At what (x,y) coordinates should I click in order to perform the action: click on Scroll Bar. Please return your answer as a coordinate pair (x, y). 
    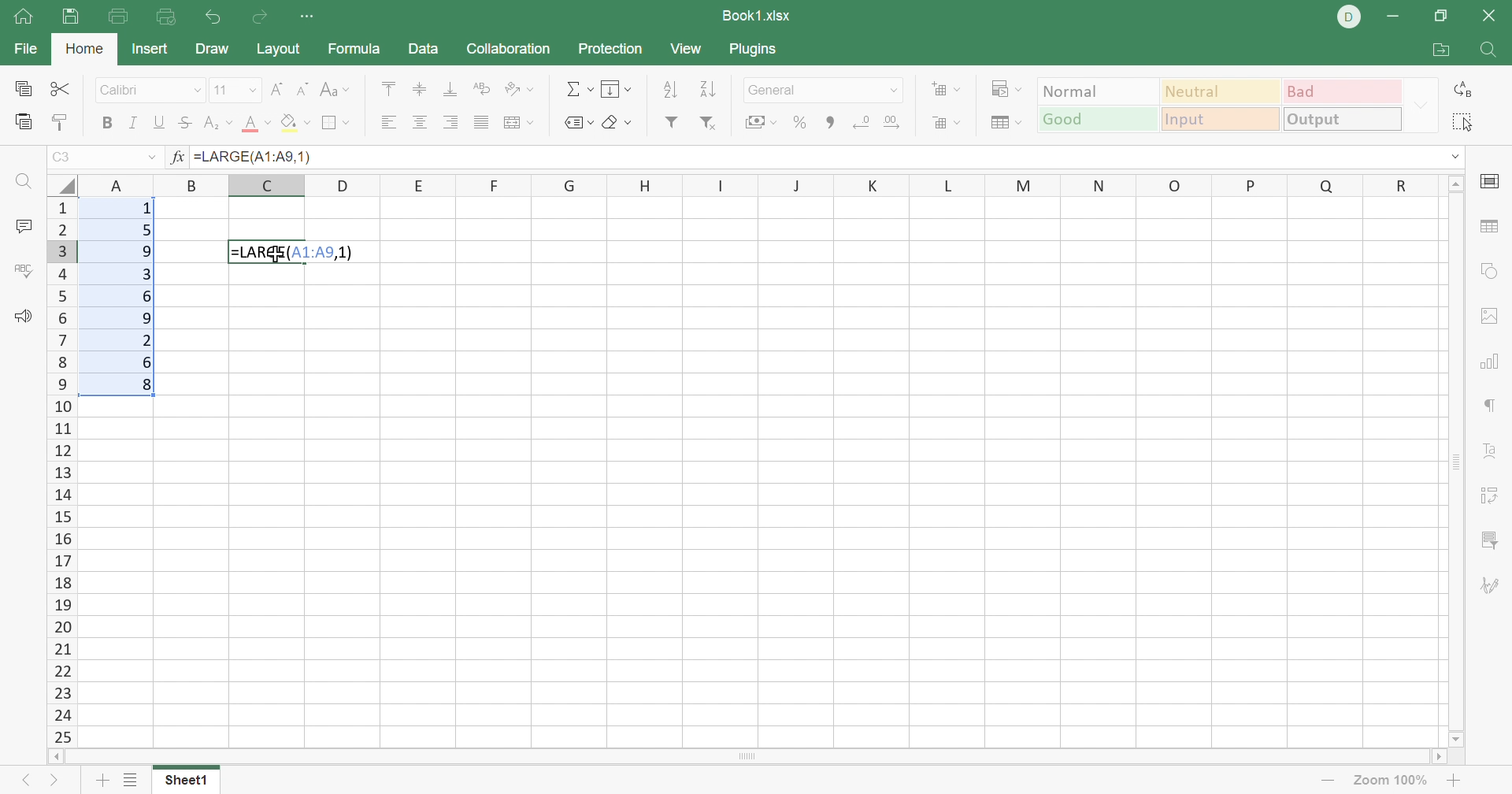
    Looking at the image, I should click on (1458, 462).